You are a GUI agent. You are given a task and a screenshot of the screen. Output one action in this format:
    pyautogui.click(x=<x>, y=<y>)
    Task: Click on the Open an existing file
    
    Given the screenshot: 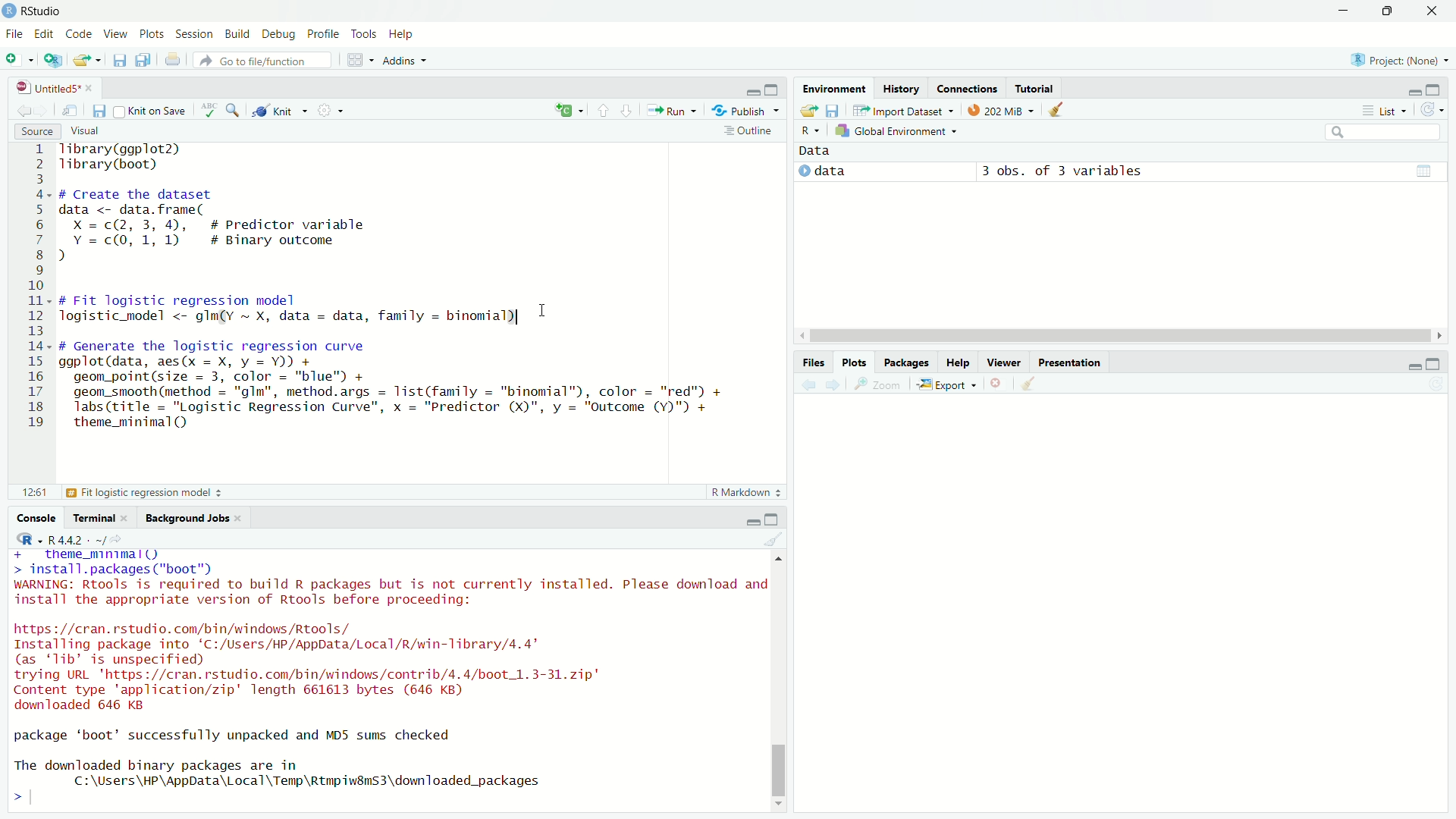 What is the action you would take?
    pyautogui.click(x=80, y=61)
    